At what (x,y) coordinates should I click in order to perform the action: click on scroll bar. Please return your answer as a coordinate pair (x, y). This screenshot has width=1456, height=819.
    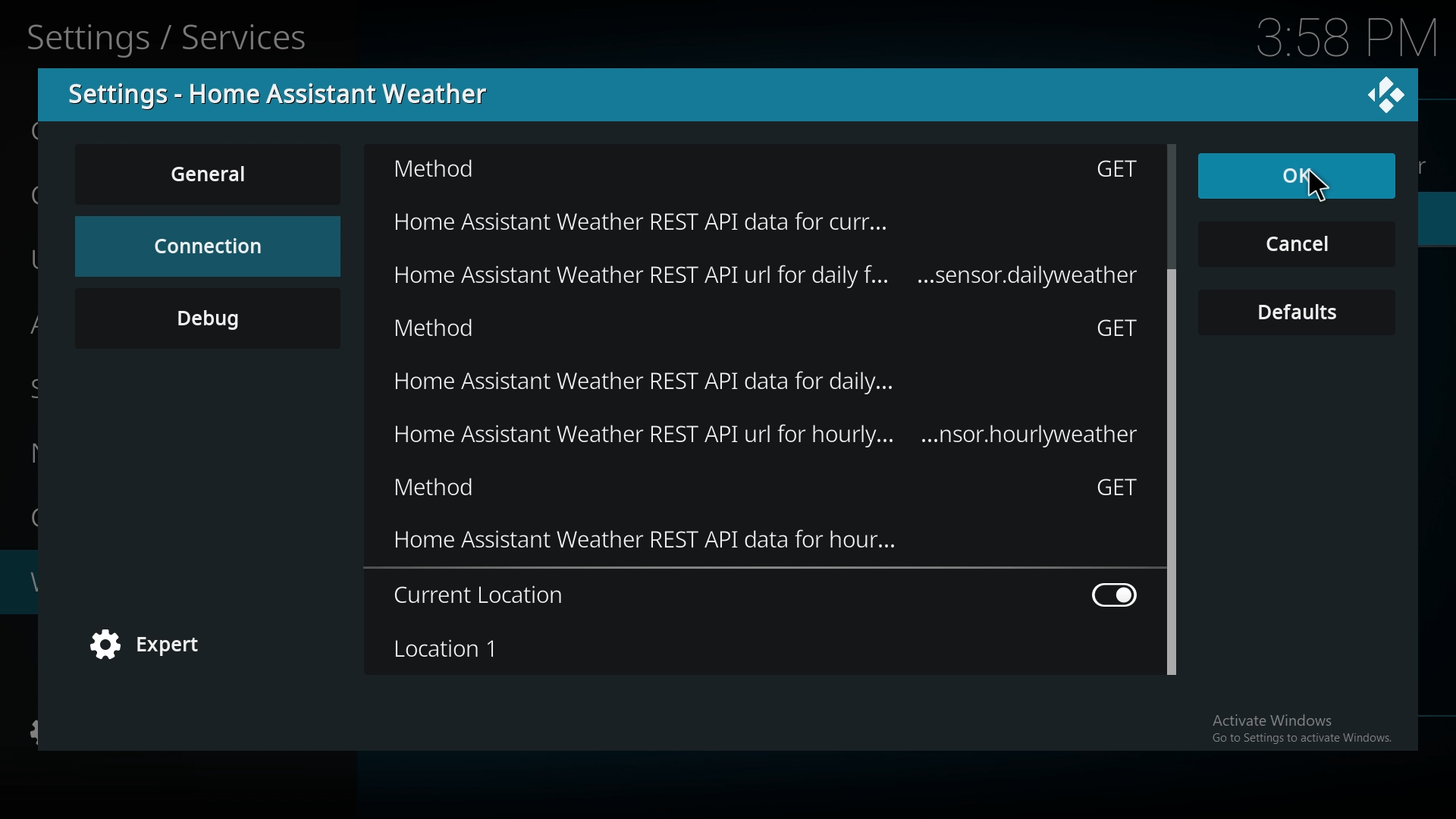
    Looking at the image, I should click on (1174, 408).